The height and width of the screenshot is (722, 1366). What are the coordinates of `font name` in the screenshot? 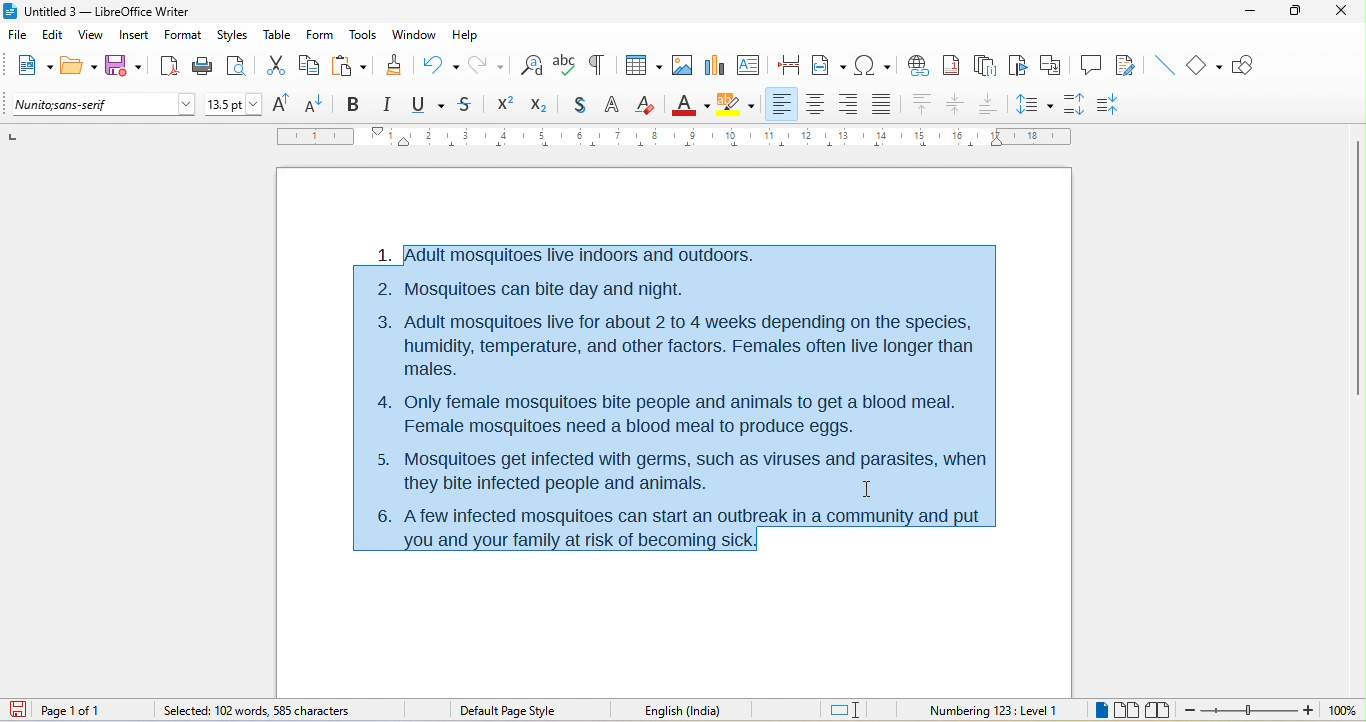 It's located at (103, 105).